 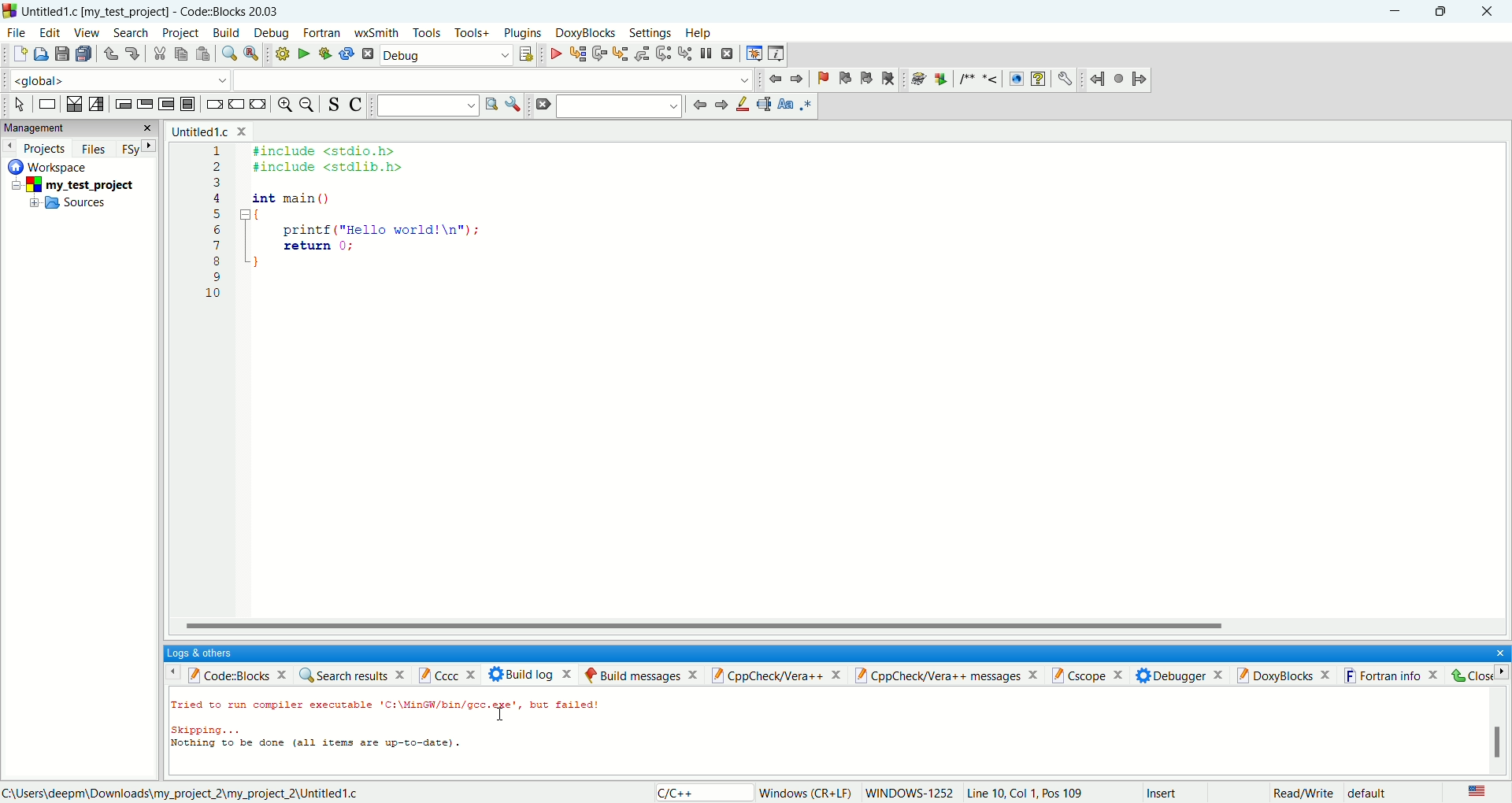 I want to click on various info, so click(x=775, y=54).